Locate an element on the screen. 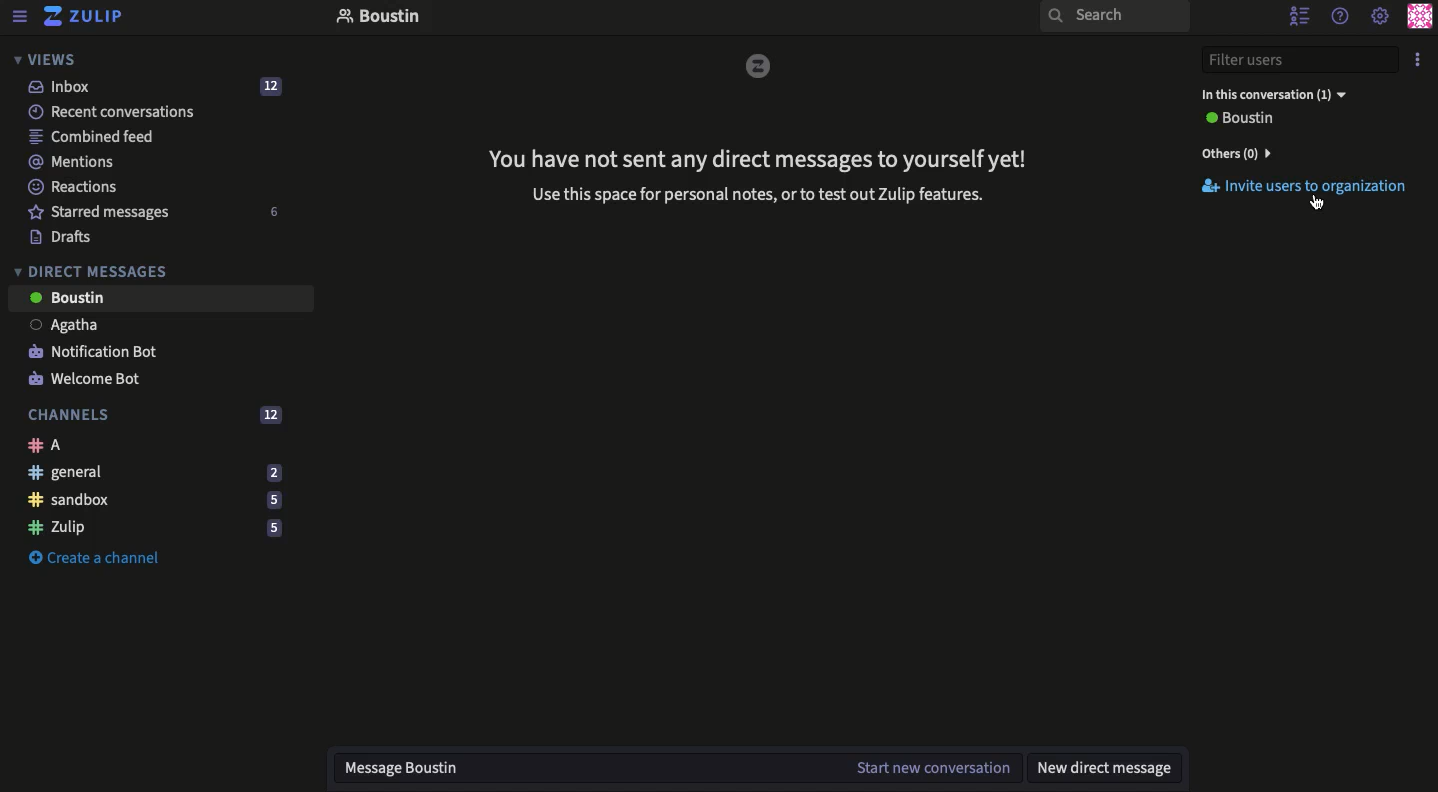 Image resolution: width=1438 pixels, height=792 pixels. Filter users is located at coordinates (1288, 60).